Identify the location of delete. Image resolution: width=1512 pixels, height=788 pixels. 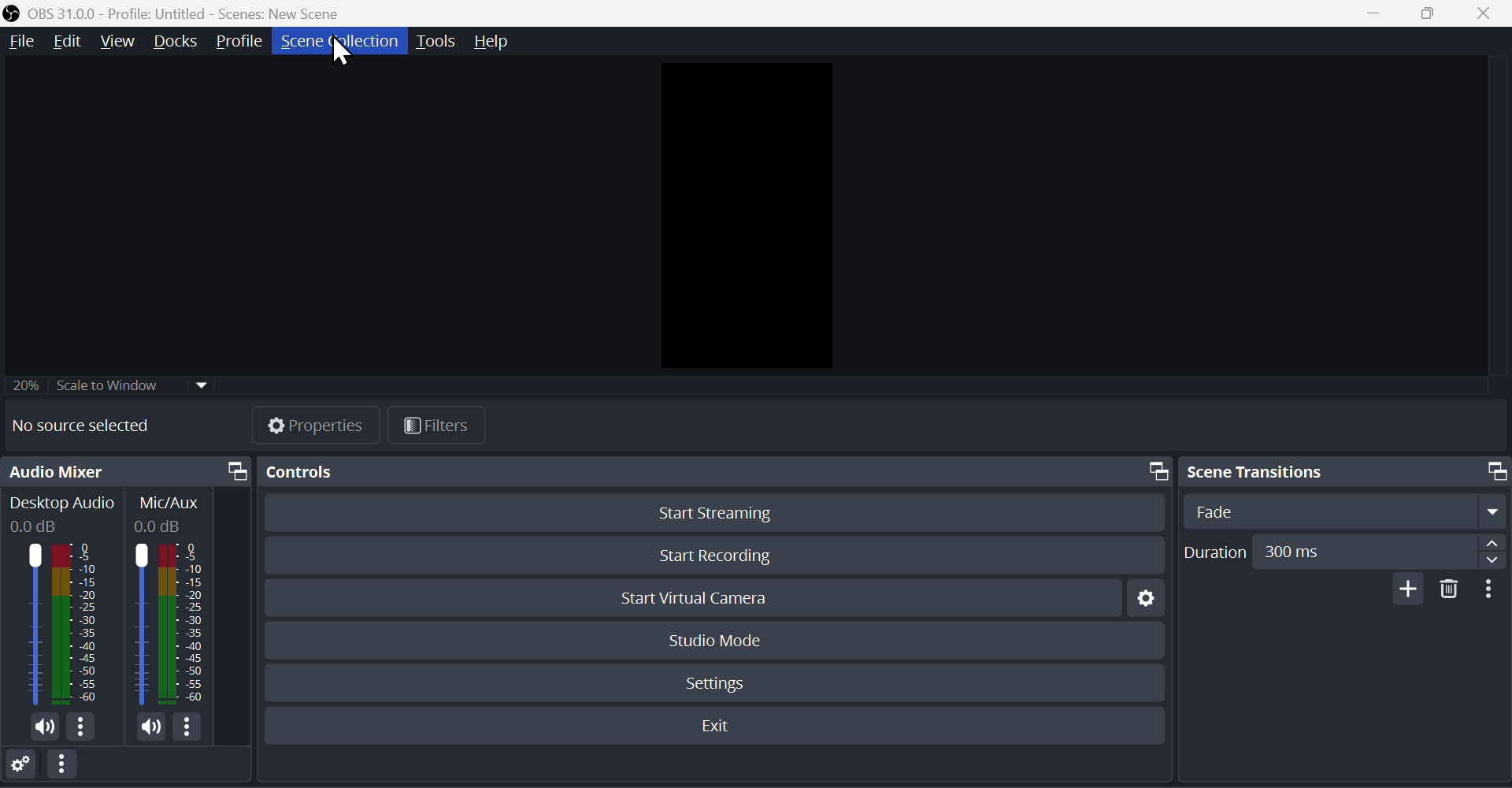
(1450, 589).